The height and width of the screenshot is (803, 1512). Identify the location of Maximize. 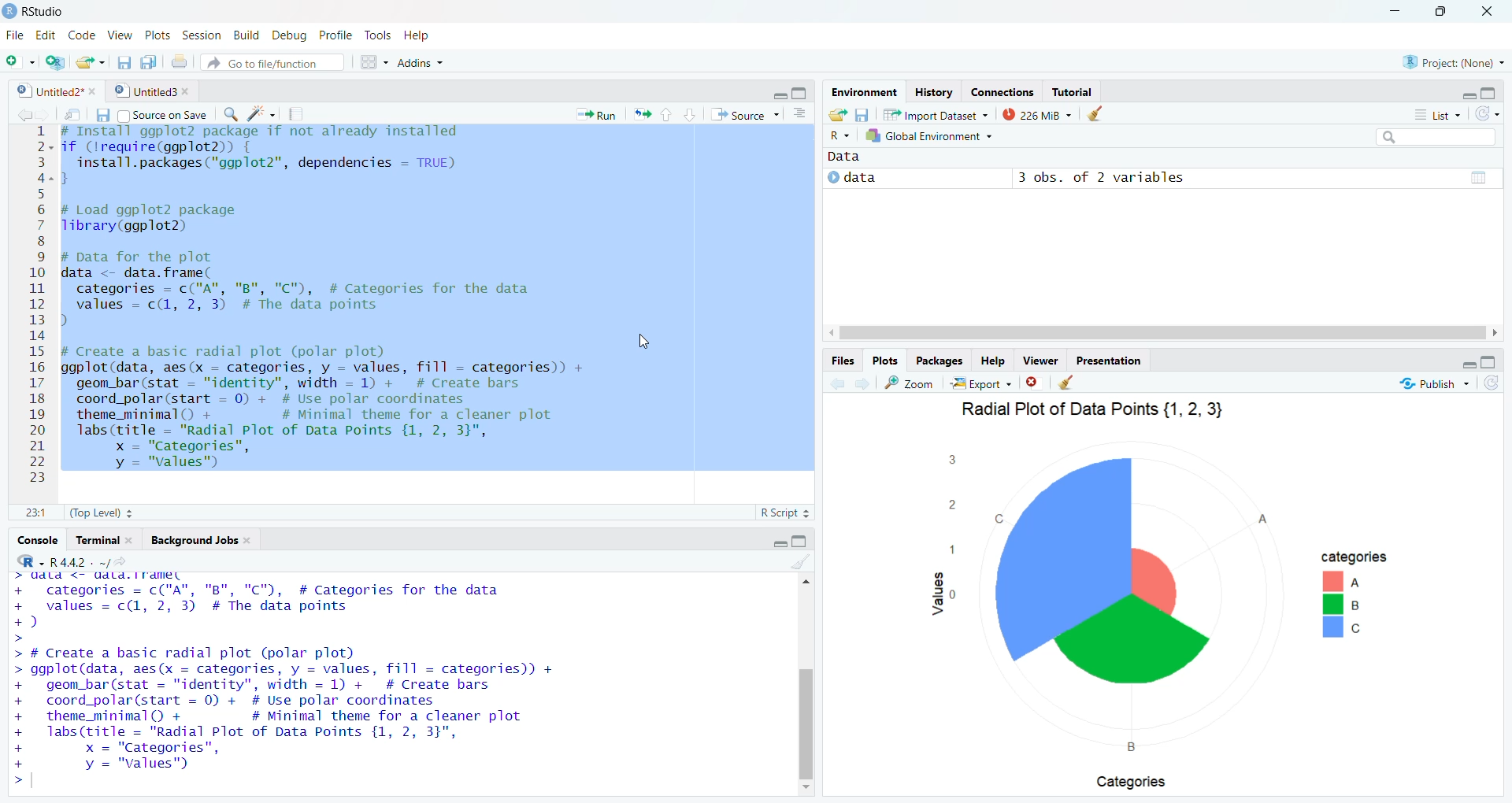
(801, 92).